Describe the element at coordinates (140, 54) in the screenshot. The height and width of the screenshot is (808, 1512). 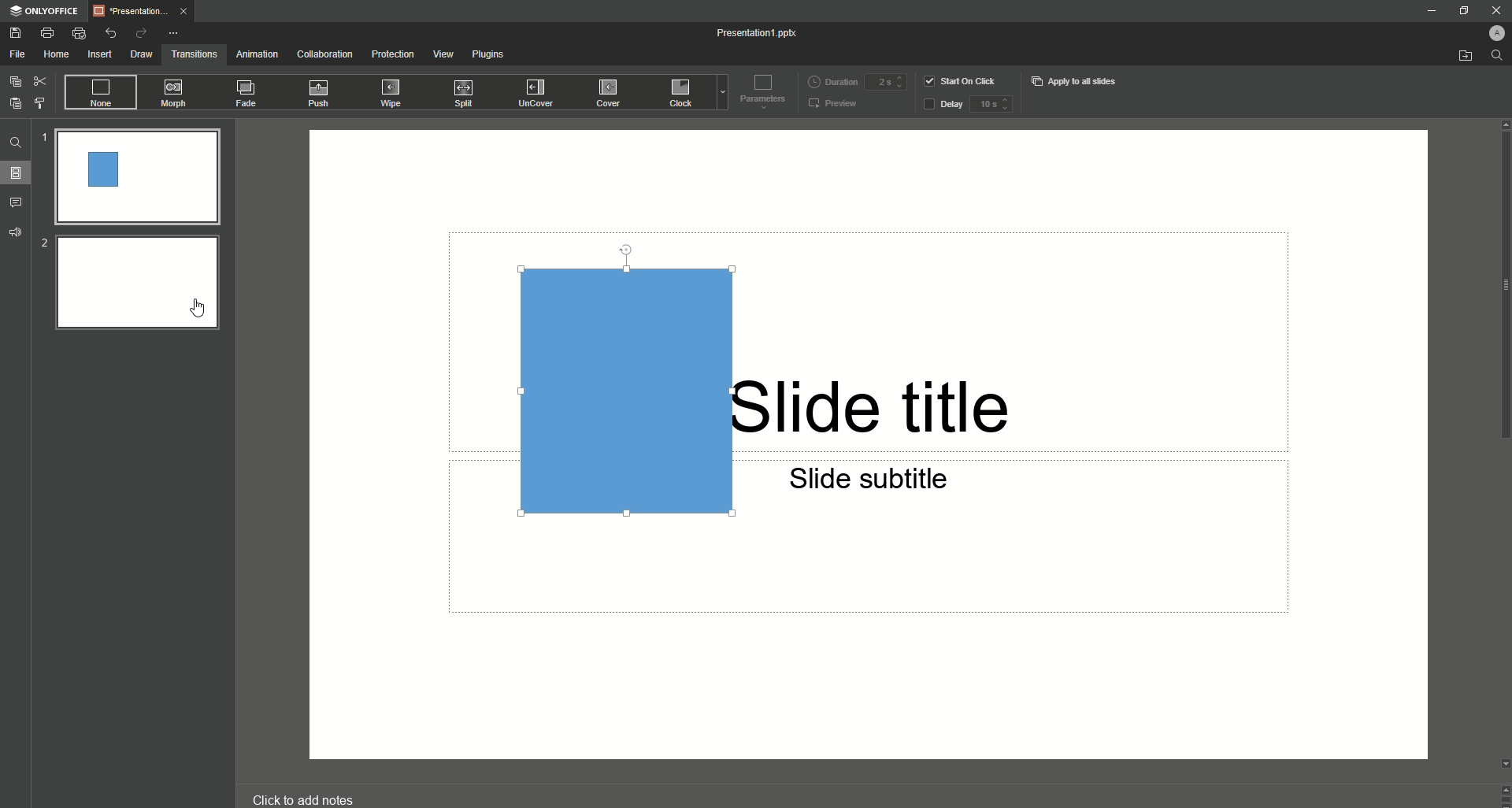
I see `Draw` at that location.